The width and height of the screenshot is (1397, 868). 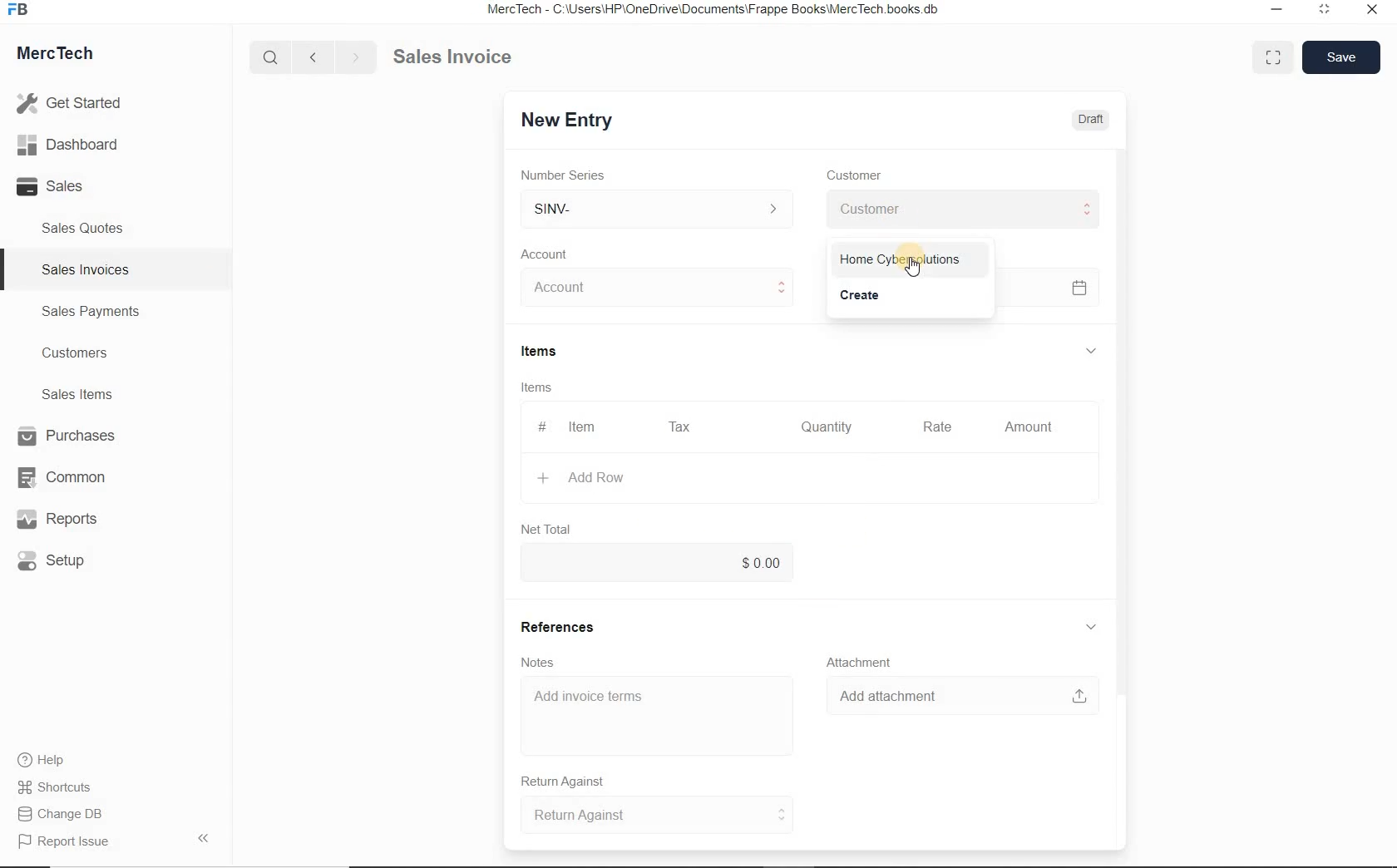 I want to click on Customers, so click(x=90, y=353).